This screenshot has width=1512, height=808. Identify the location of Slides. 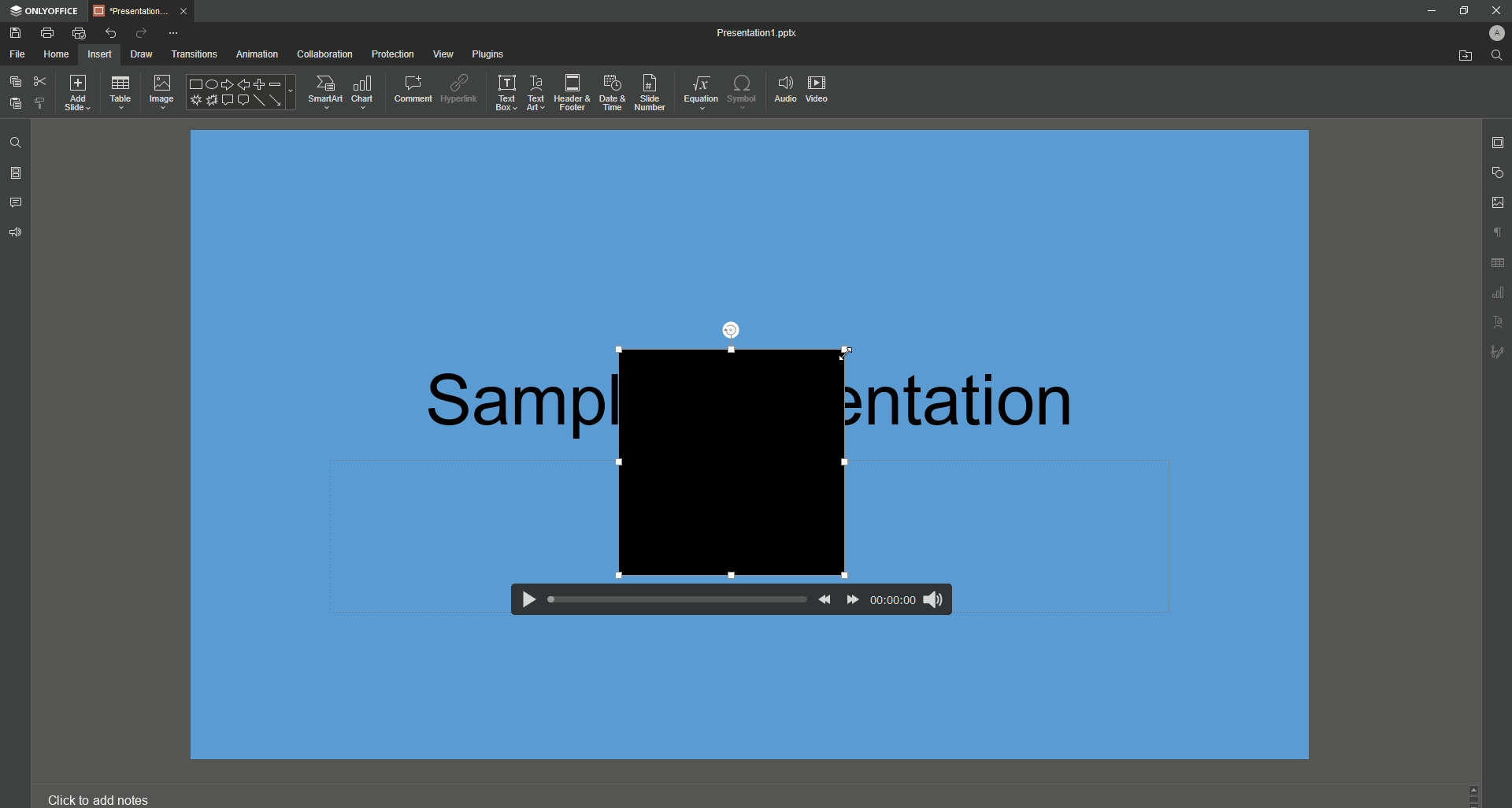
(16, 175).